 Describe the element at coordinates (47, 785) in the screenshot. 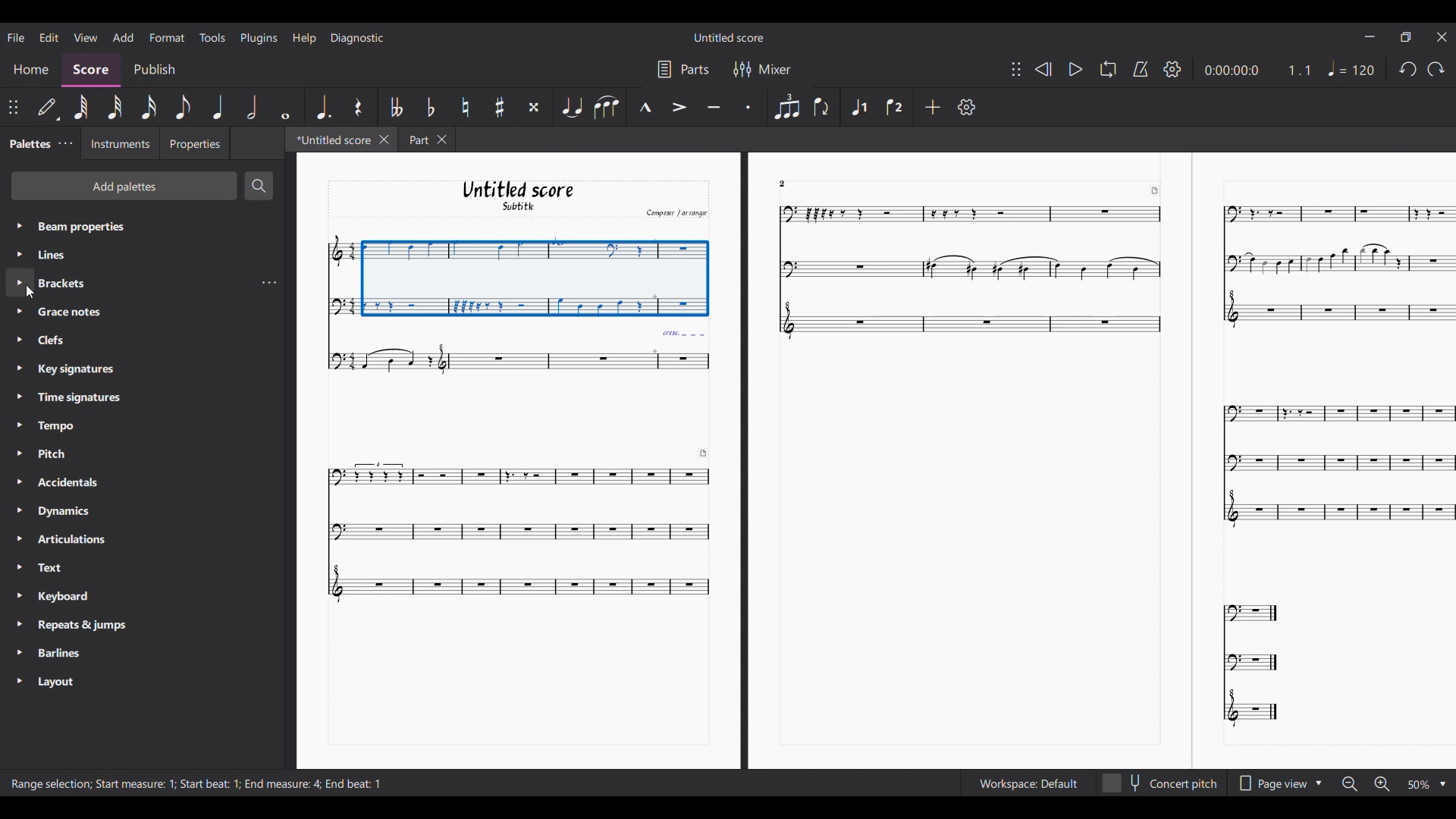

I see `range selection ;` at that location.